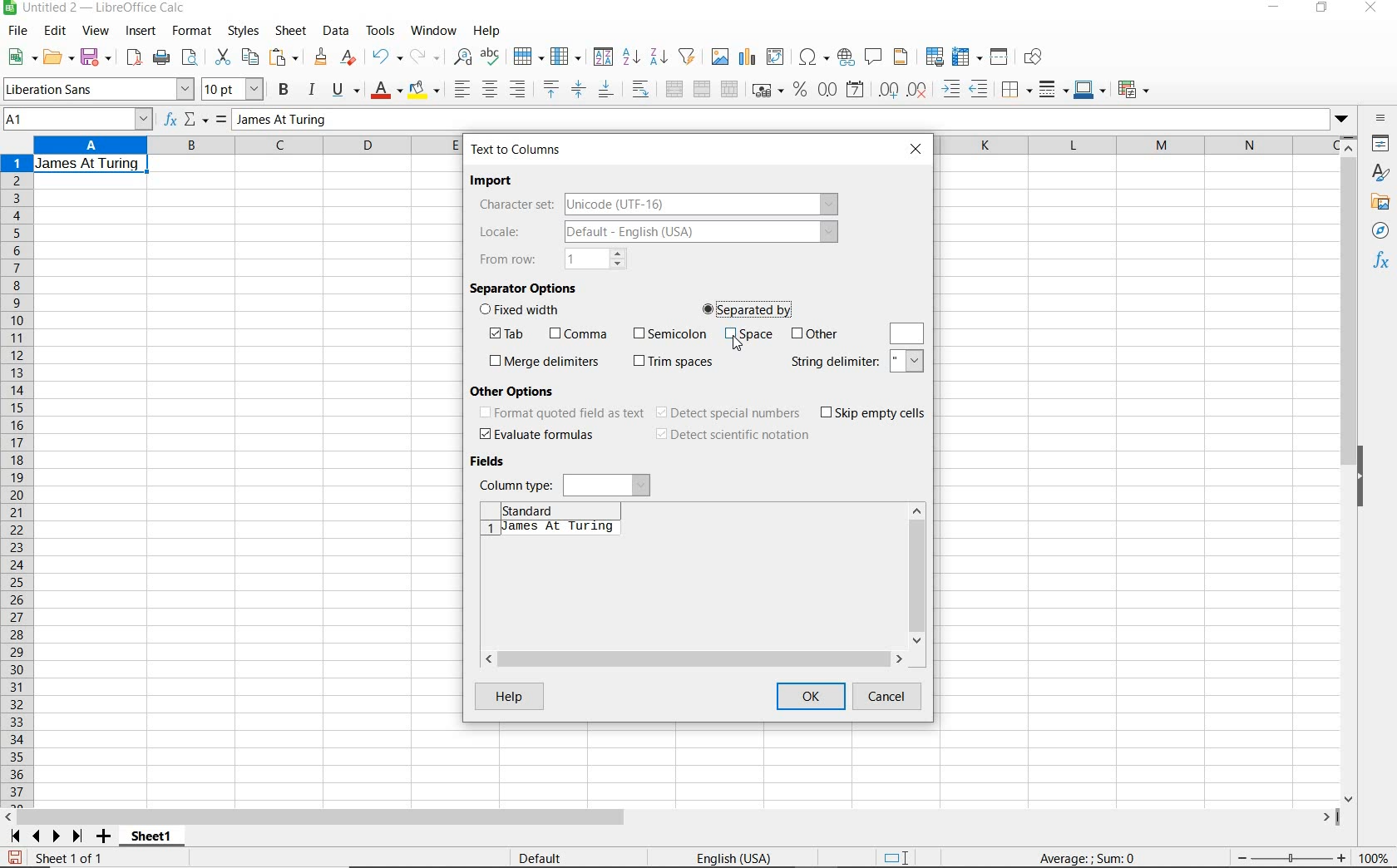 The height and width of the screenshot is (868, 1397). I want to click on column, so click(566, 56).